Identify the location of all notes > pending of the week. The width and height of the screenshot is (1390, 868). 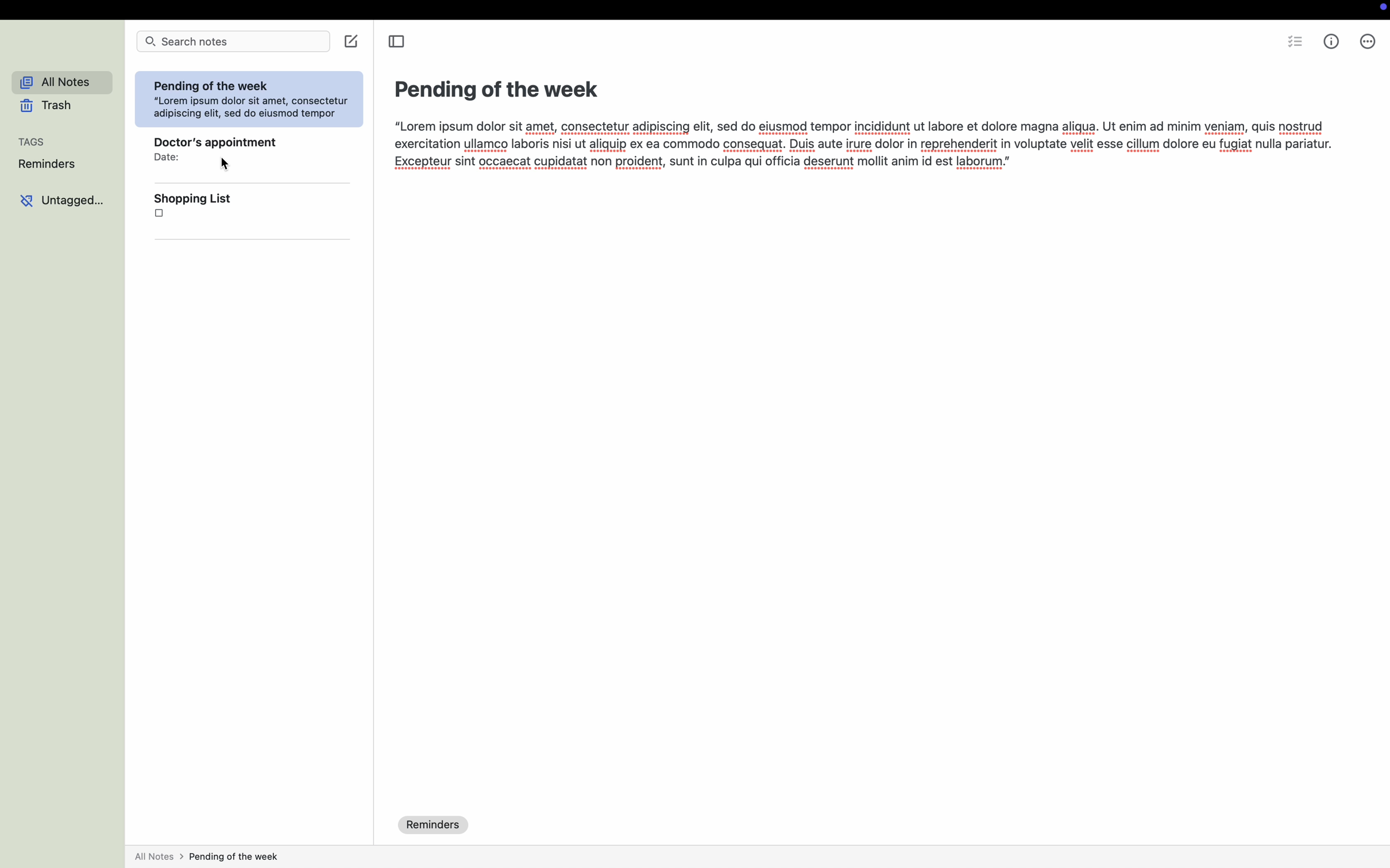
(207, 857).